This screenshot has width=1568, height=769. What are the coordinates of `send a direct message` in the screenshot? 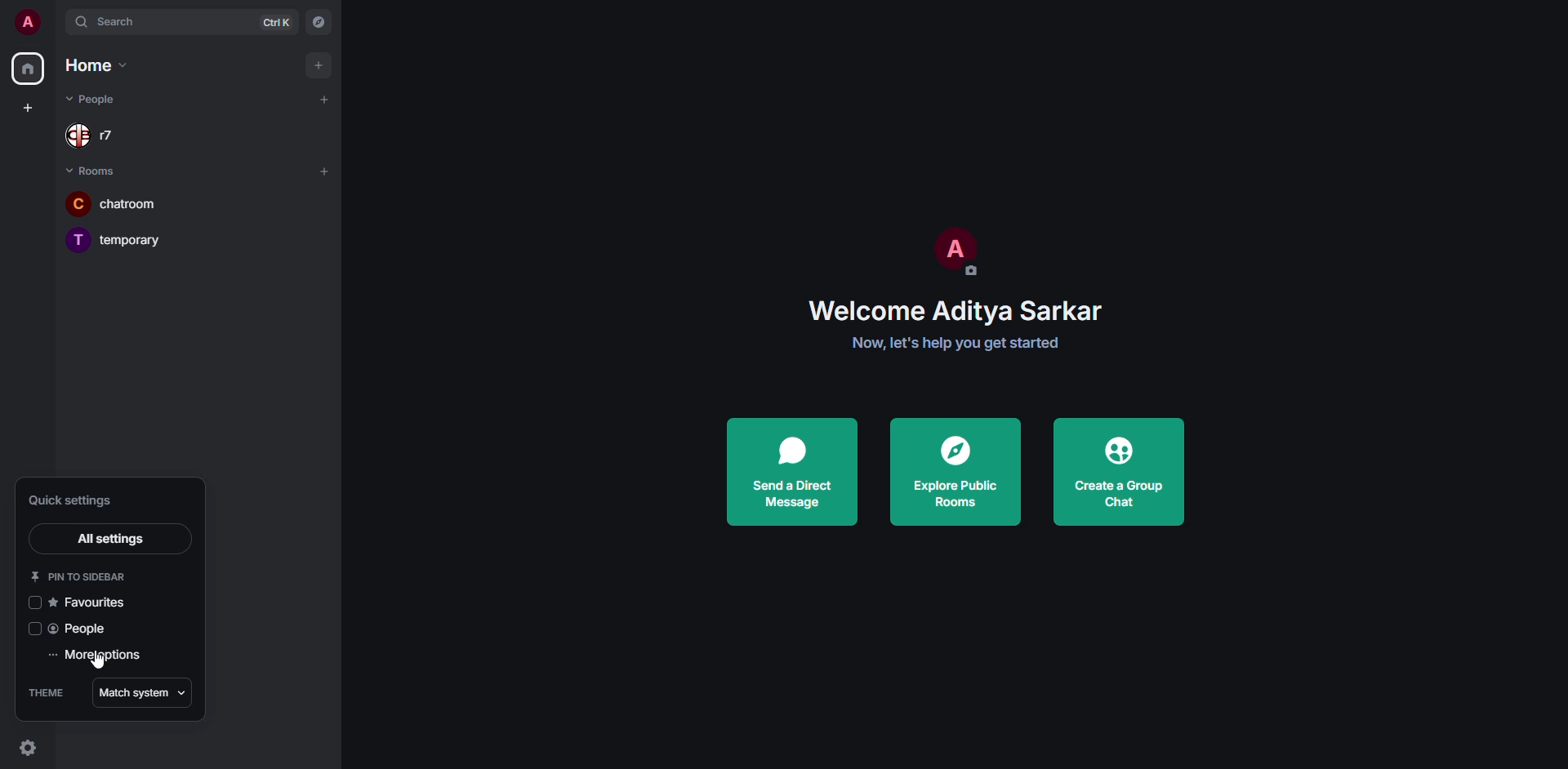 It's located at (794, 468).